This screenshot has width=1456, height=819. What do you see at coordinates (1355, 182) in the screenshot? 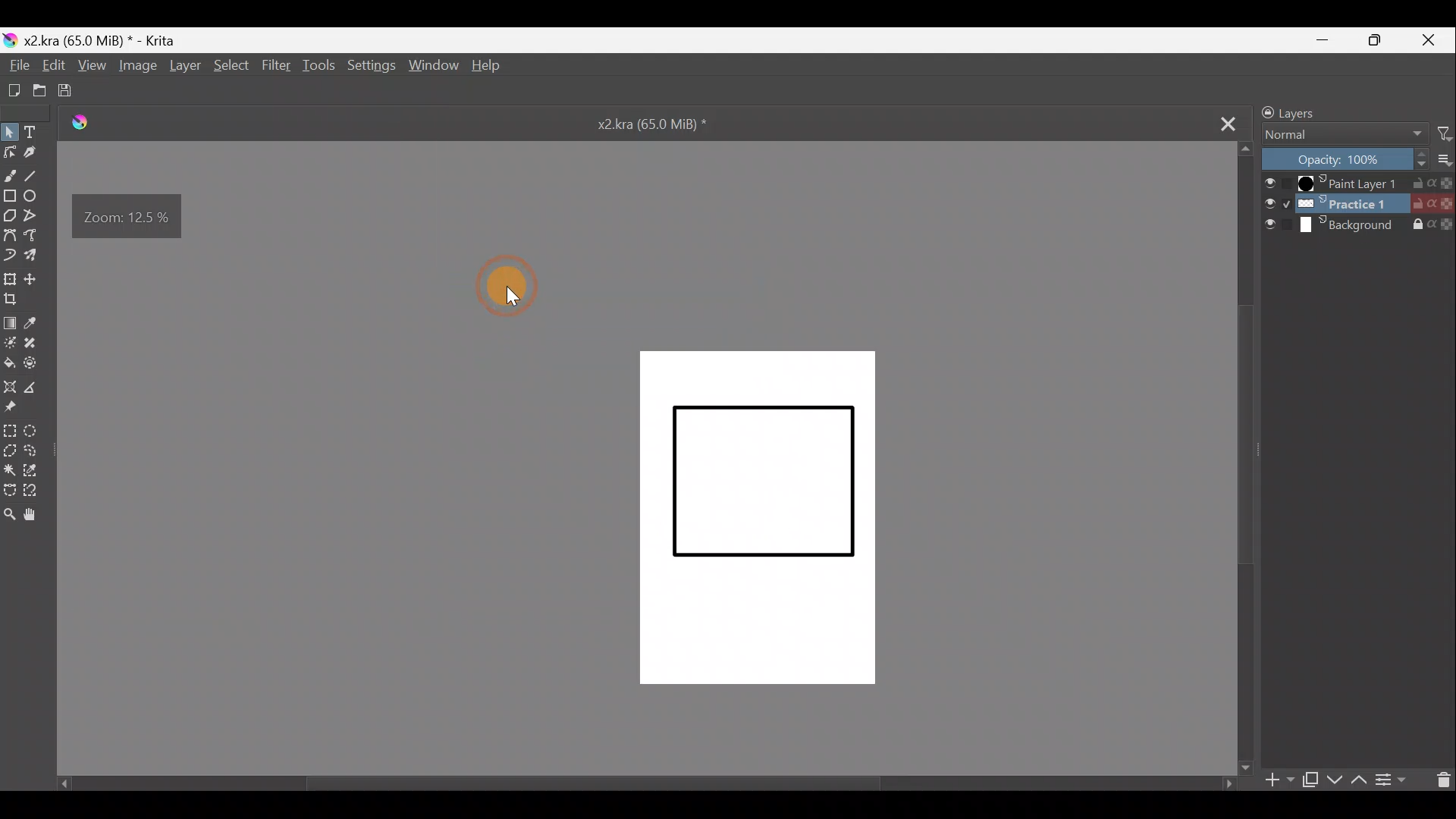
I see `Paint Layer 1` at bounding box center [1355, 182].